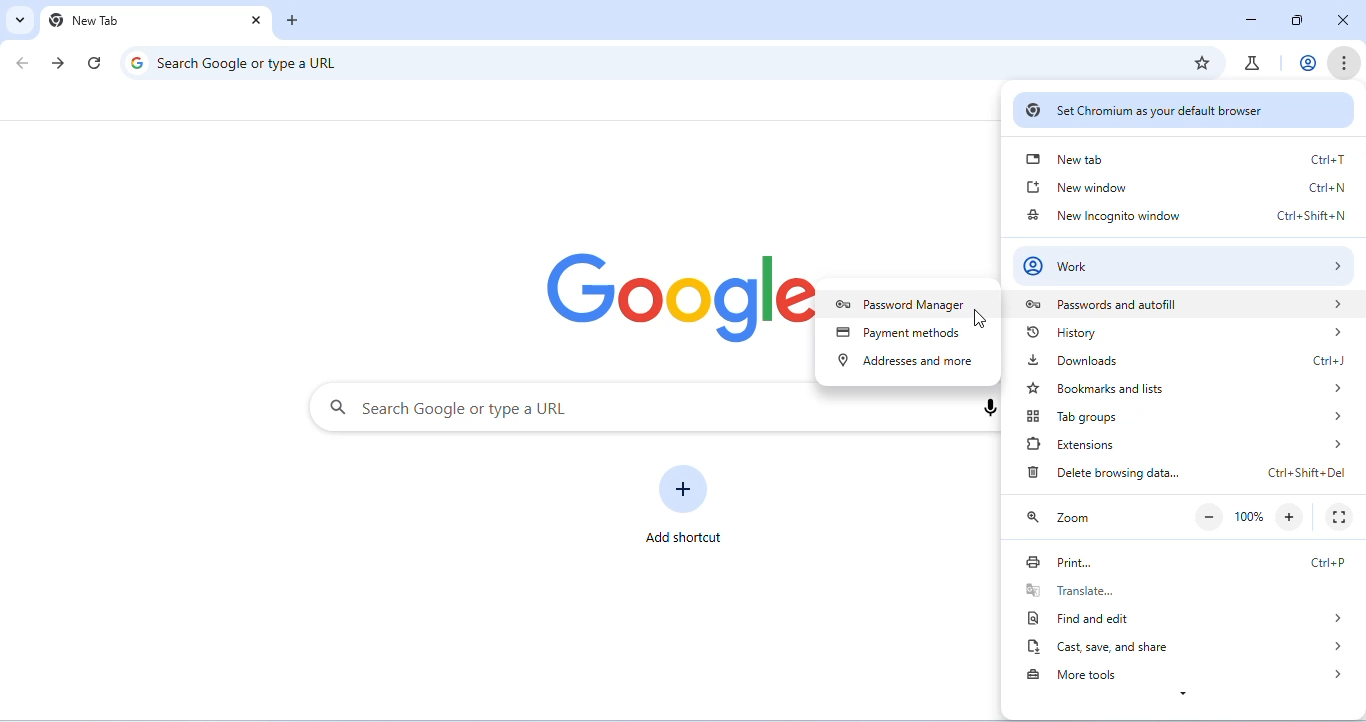 This screenshot has height=722, width=1366. Describe the element at coordinates (1181, 589) in the screenshot. I see `translate...` at that location.